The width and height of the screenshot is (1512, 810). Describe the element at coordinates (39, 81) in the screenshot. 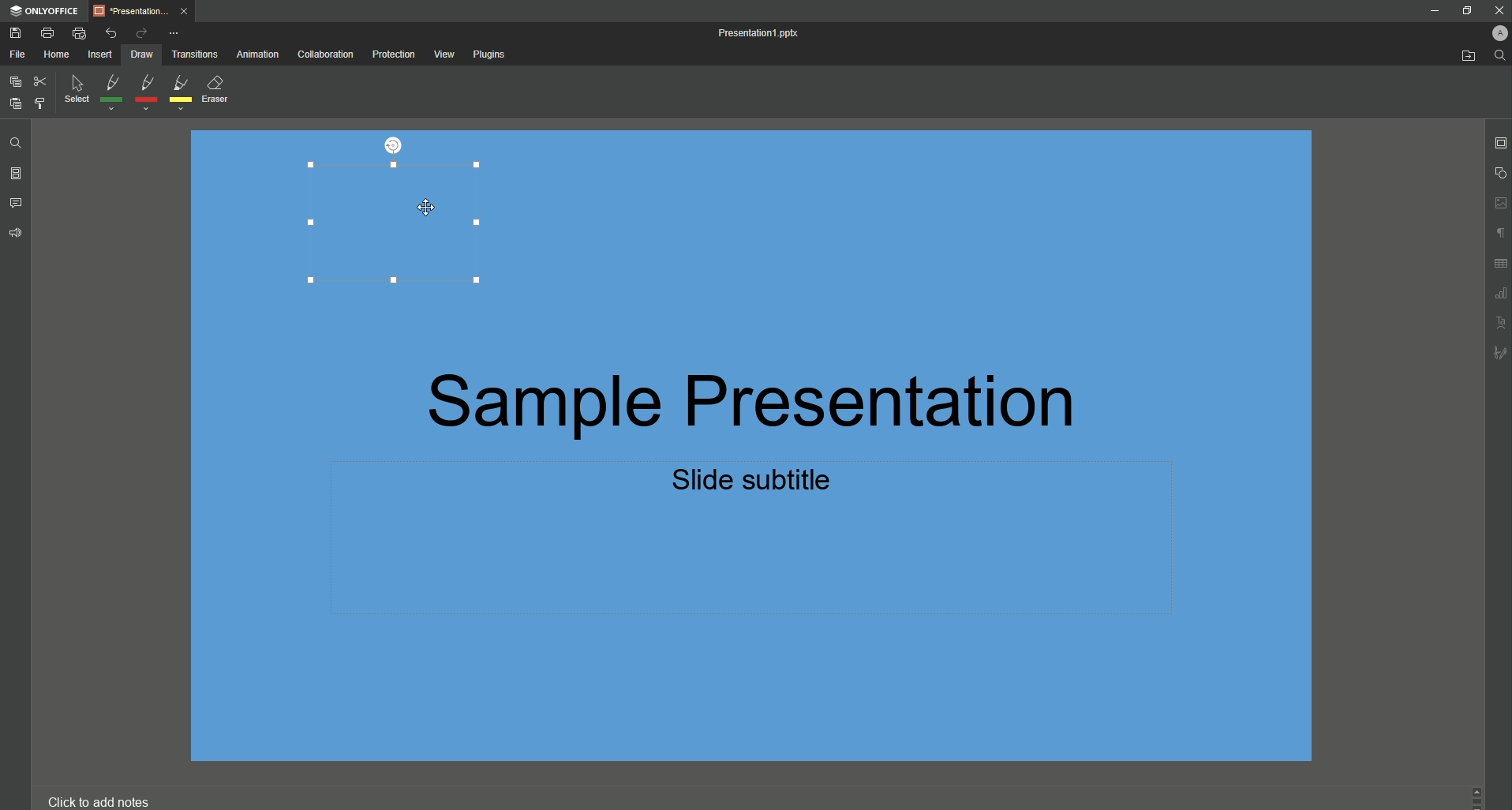

I see `Cut` at that location.